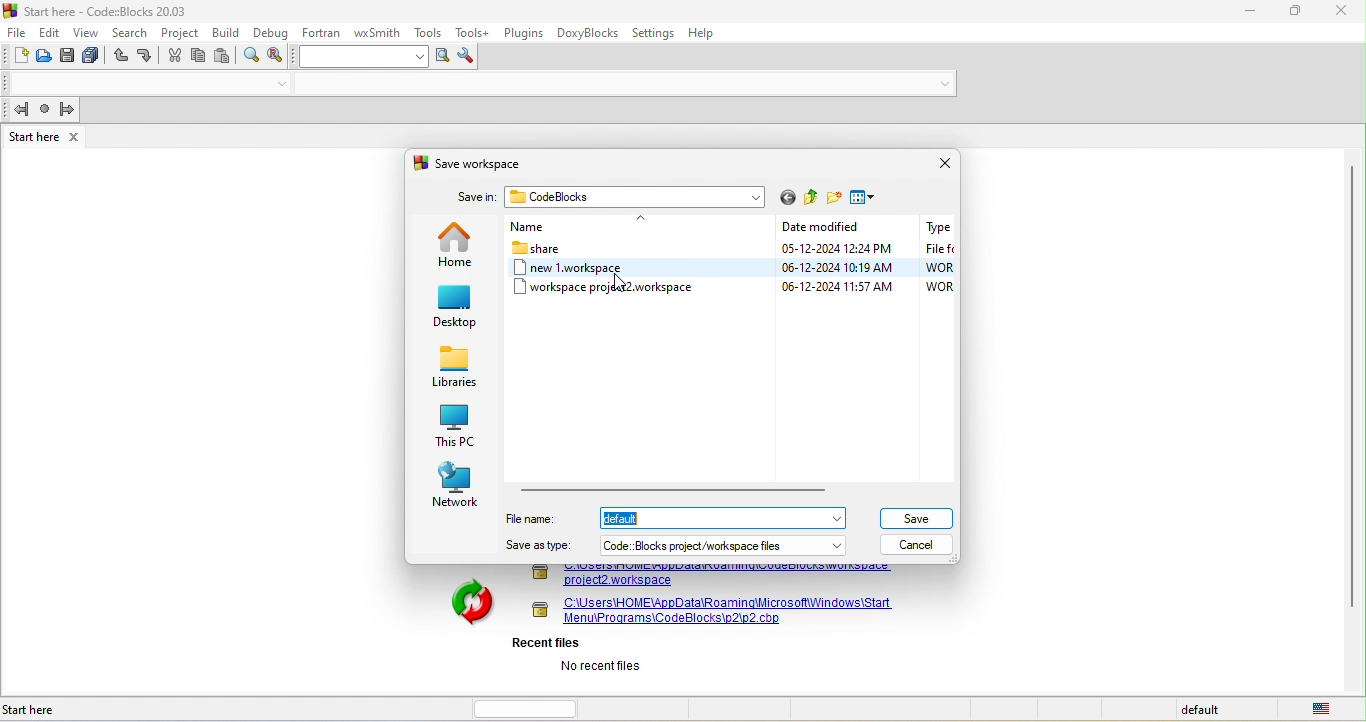 This screenshot has height=722, width=1366. Describe the element at coordinates (175, 58) in the screenshot. I see `cut` at that location.